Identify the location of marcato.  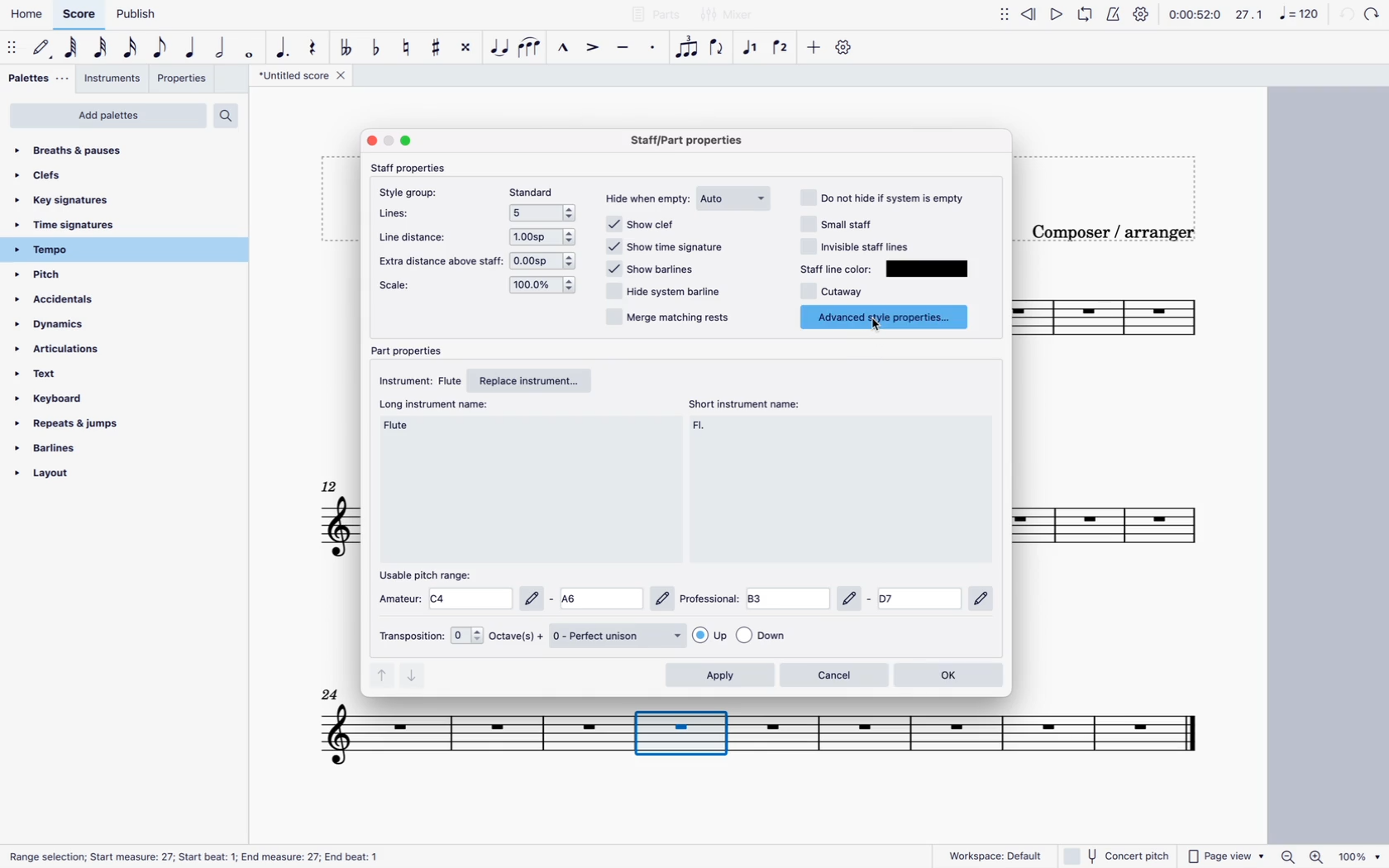
(564, 49).